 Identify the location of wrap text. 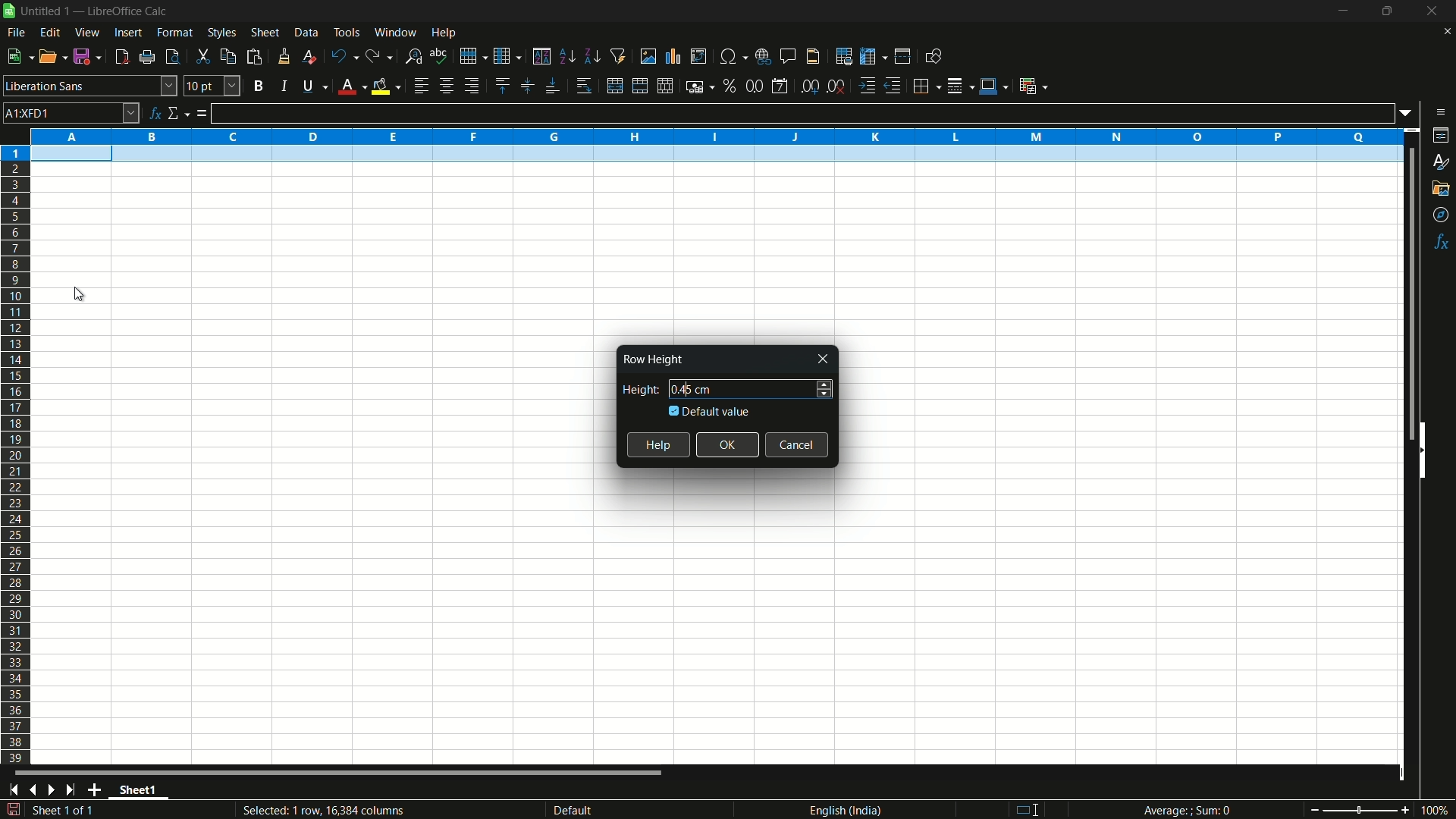
(587, 86).